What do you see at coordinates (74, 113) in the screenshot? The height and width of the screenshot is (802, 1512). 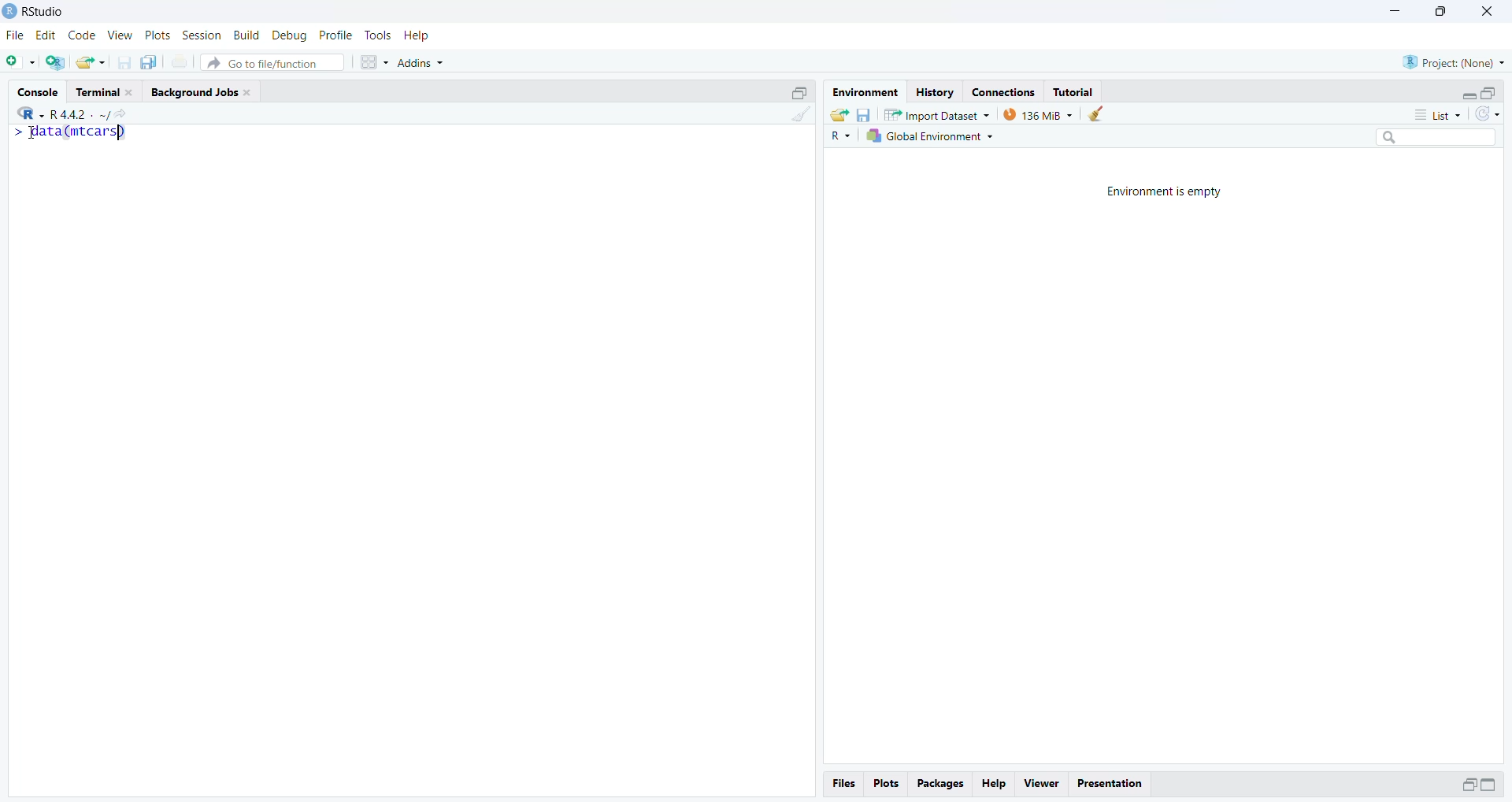 I see `R.4.4.2~/` at bounding box center [74, 113].